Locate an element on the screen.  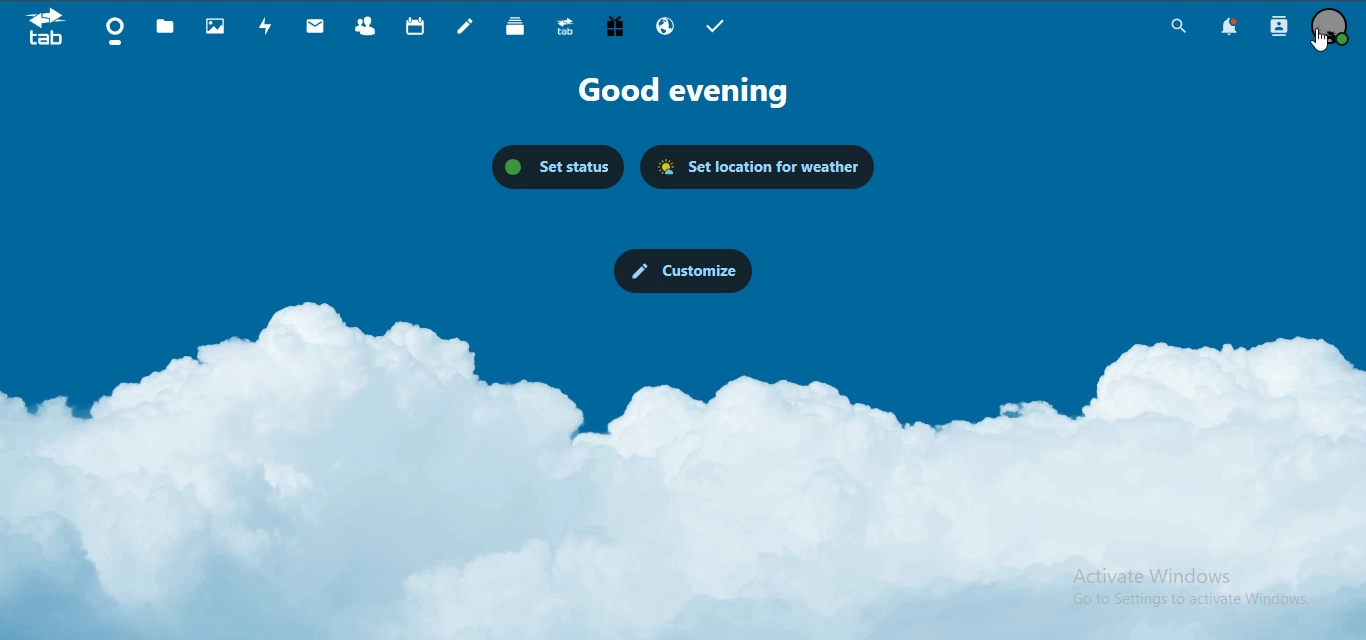
customize is located at coordinates (682, 272).